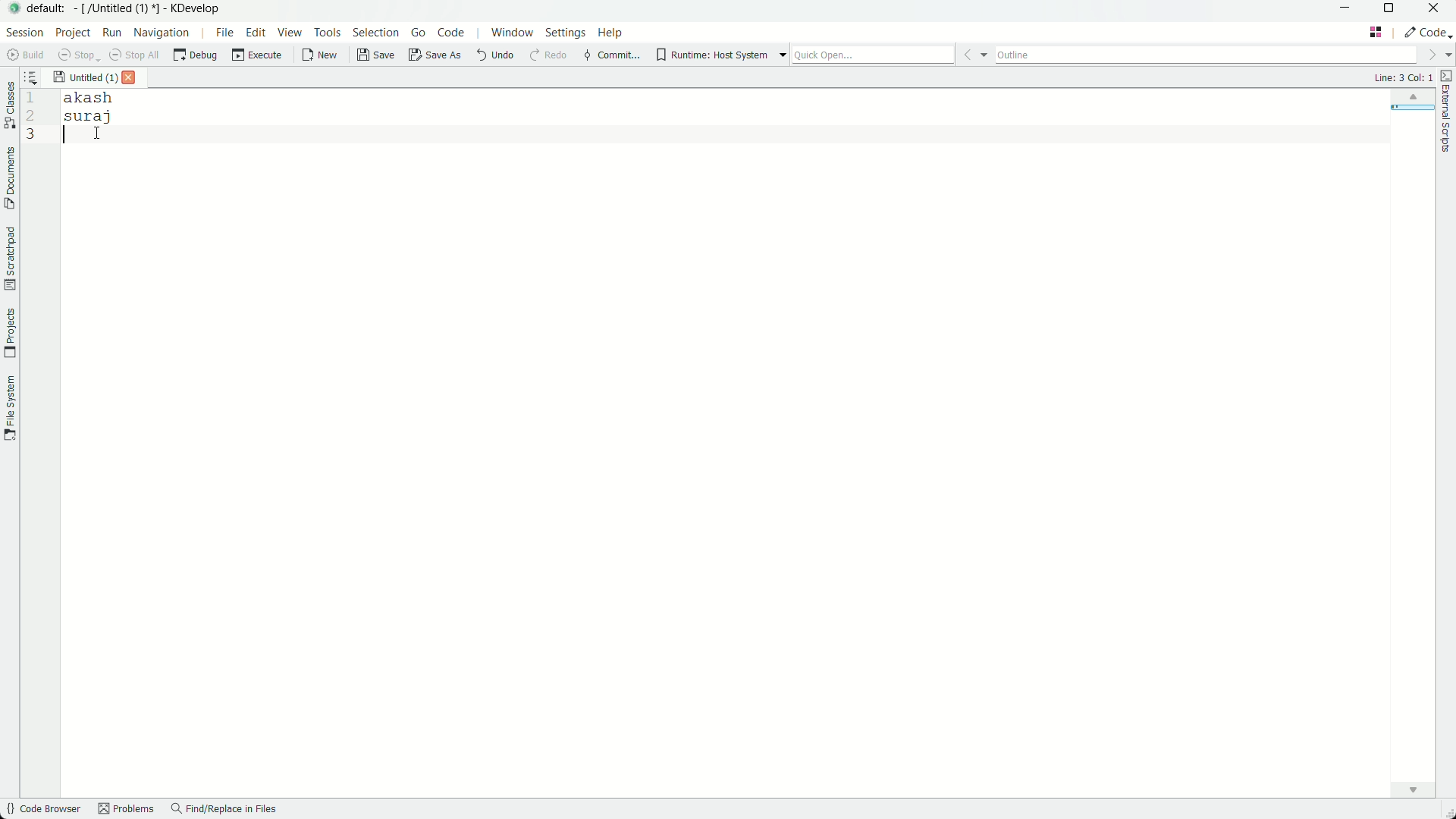  What do you see at coordinates (225, 810) in the screenshot?
I see `find/replace in files` at bounding box center [225, 810].